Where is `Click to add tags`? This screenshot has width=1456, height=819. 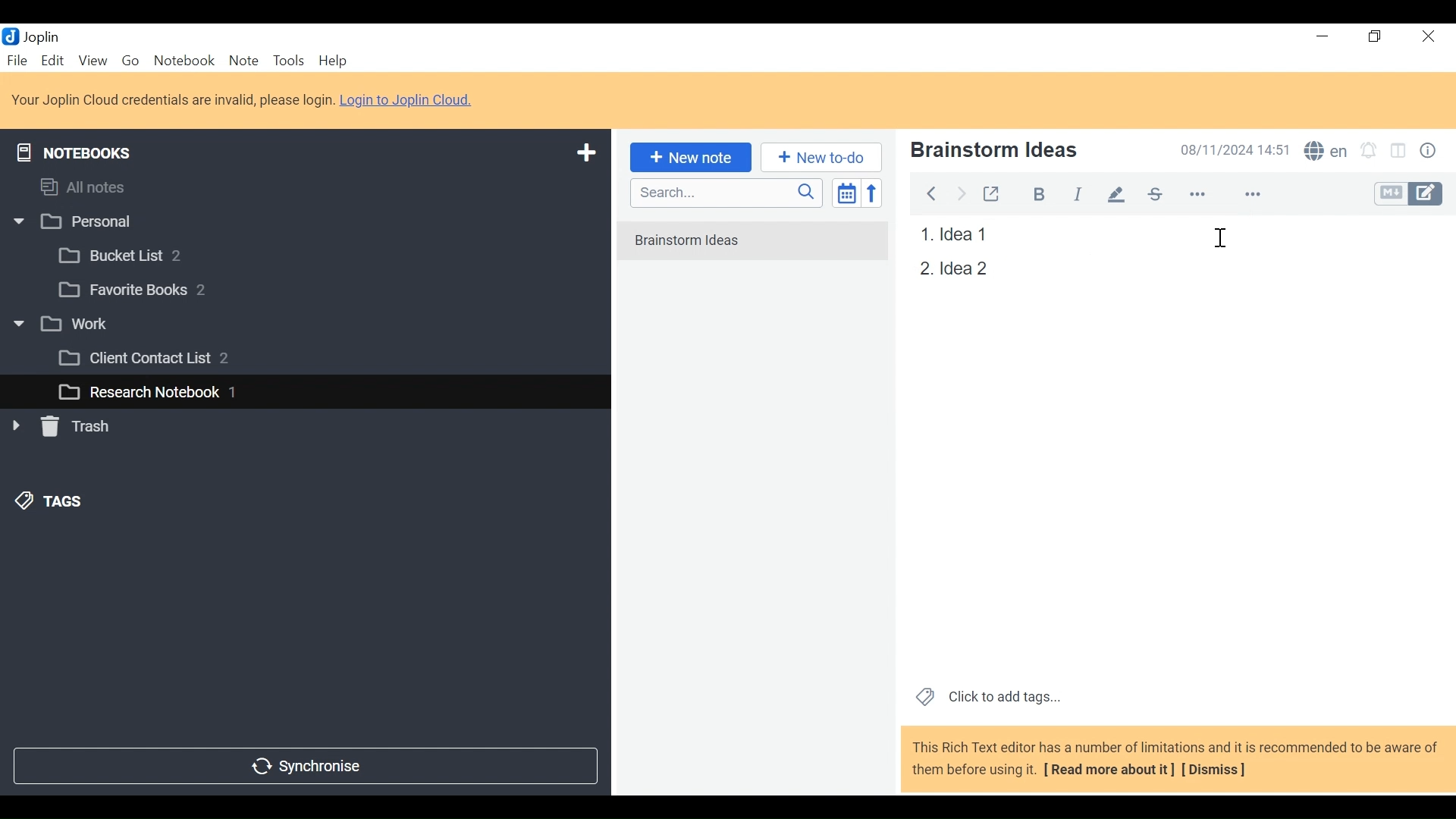 Click to add tags is located at coordinates (985, 695).